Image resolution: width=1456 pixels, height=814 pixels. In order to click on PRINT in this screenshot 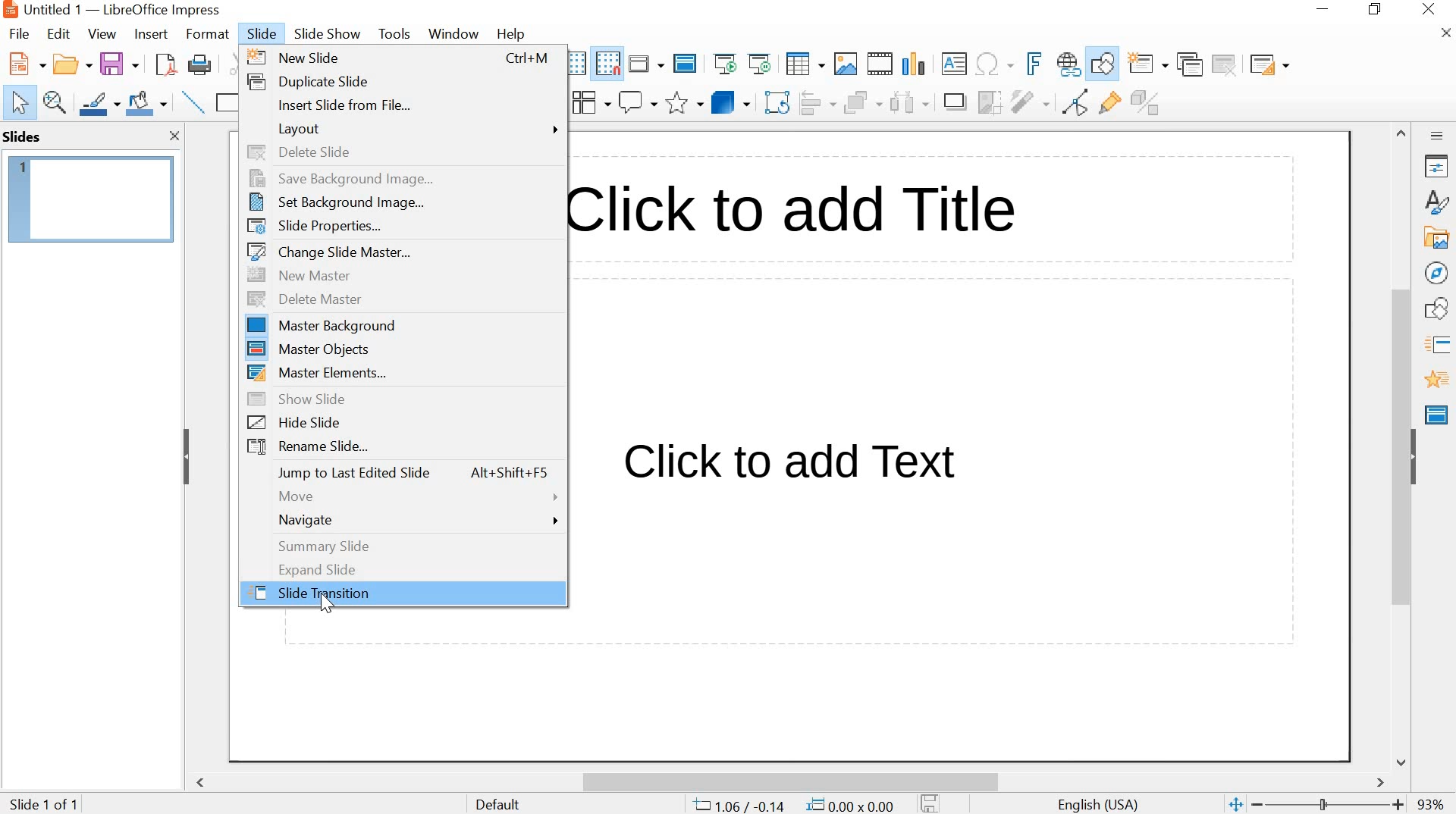, I will do `click(201, 66)`.